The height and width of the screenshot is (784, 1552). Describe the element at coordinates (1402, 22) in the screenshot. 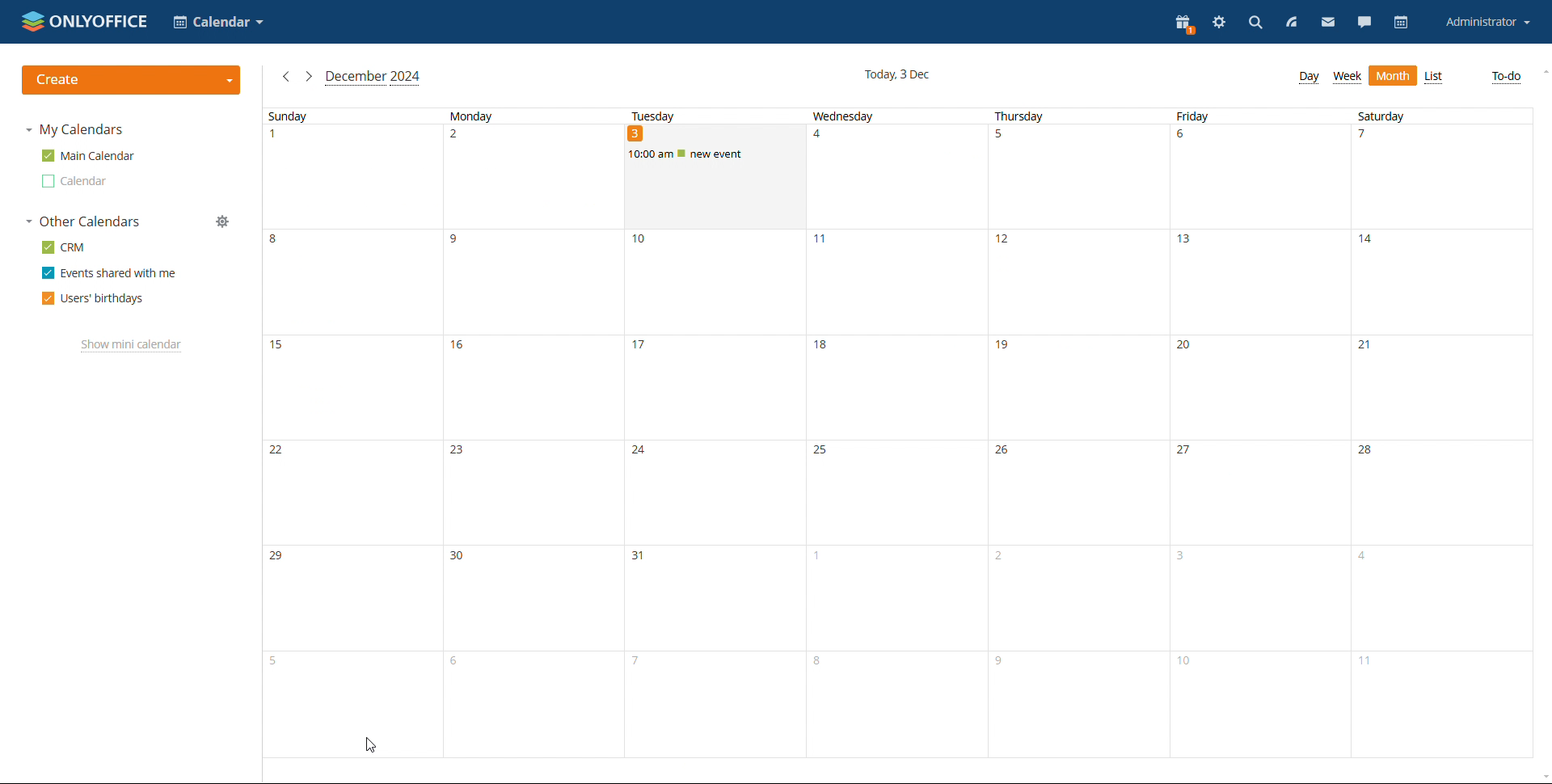

I see `calendar` at that location.